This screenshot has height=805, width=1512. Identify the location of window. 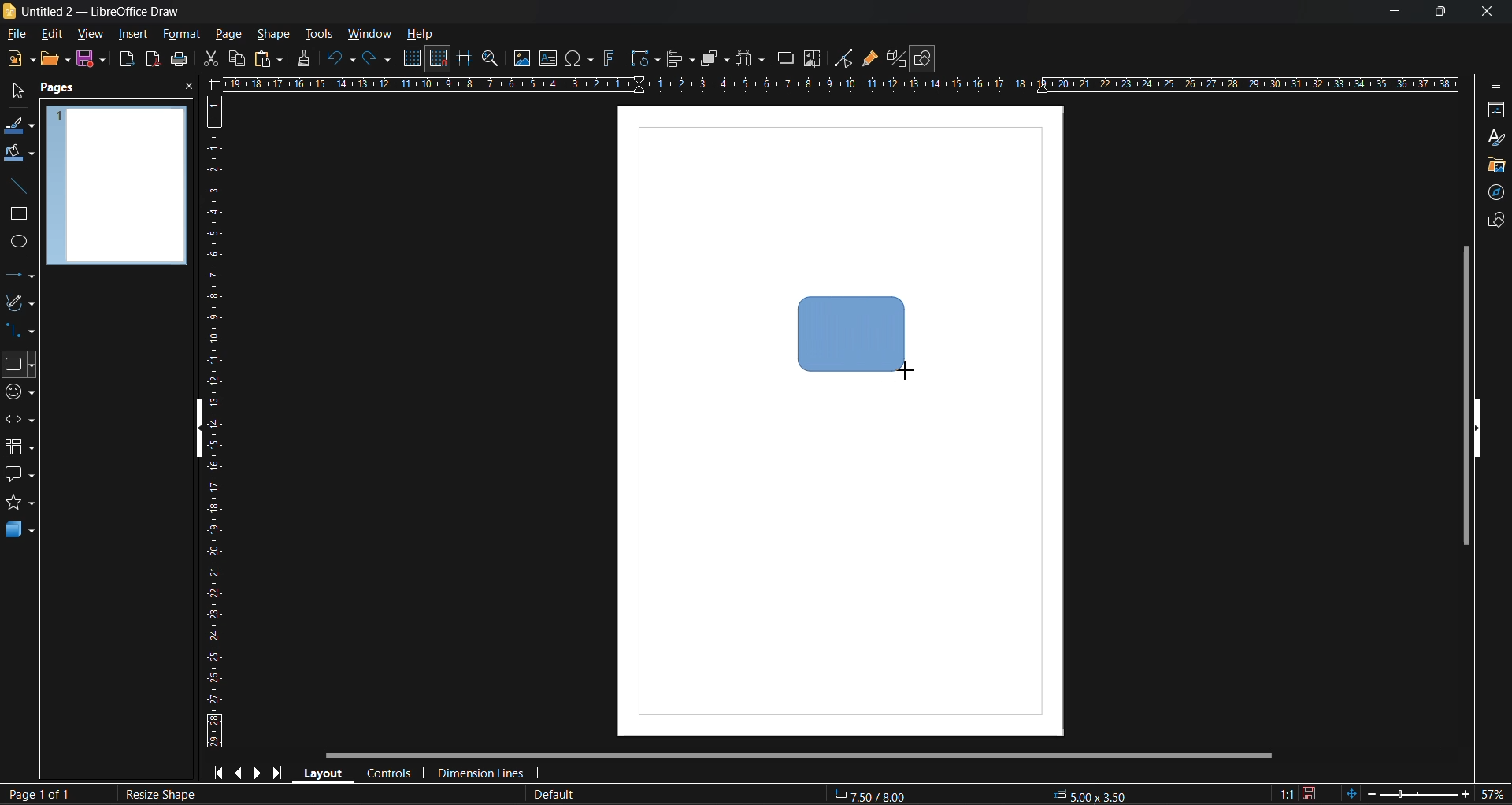
(368, 35).